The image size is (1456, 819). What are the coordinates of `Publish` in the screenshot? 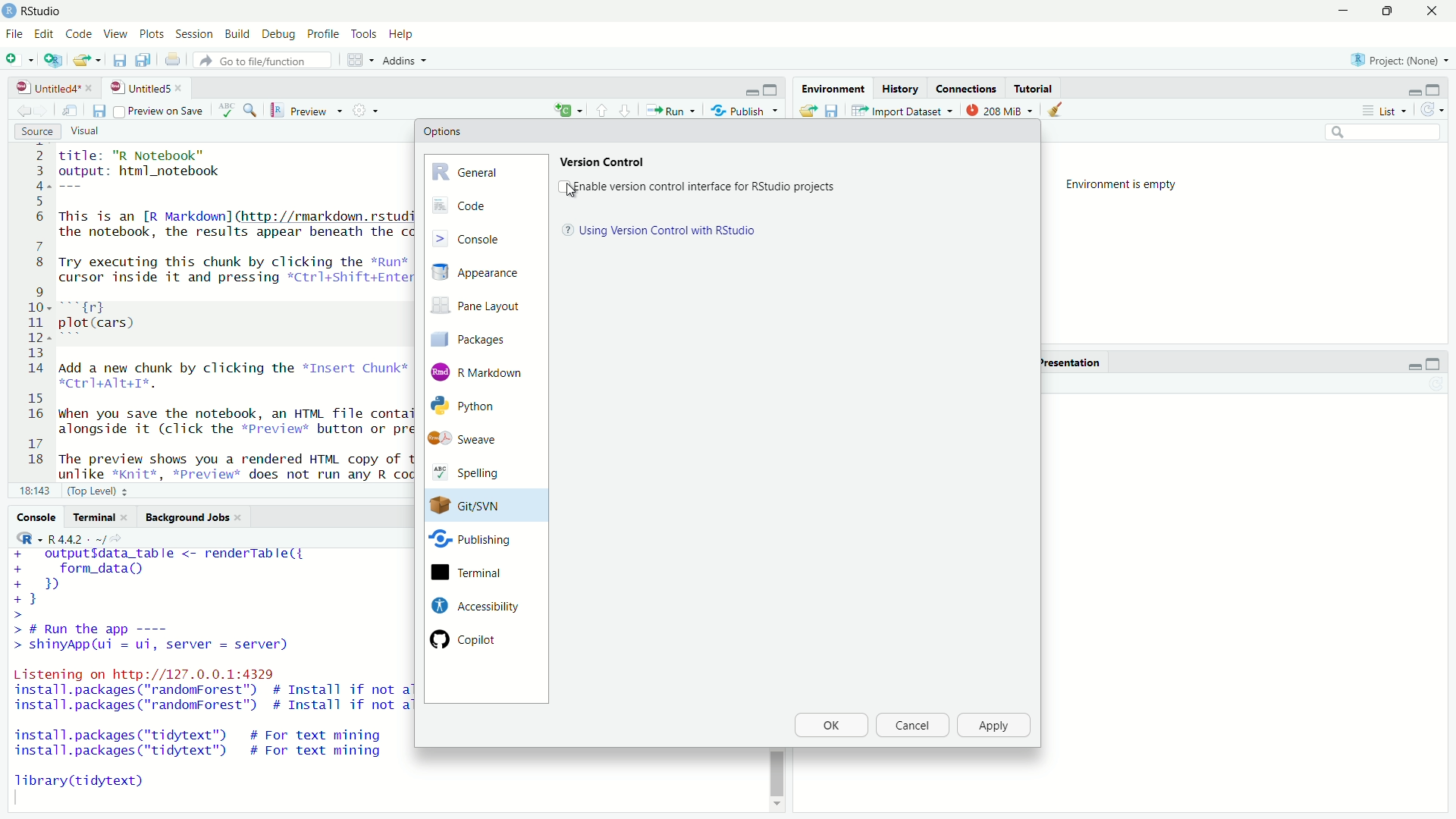 It's located at (745, 109).